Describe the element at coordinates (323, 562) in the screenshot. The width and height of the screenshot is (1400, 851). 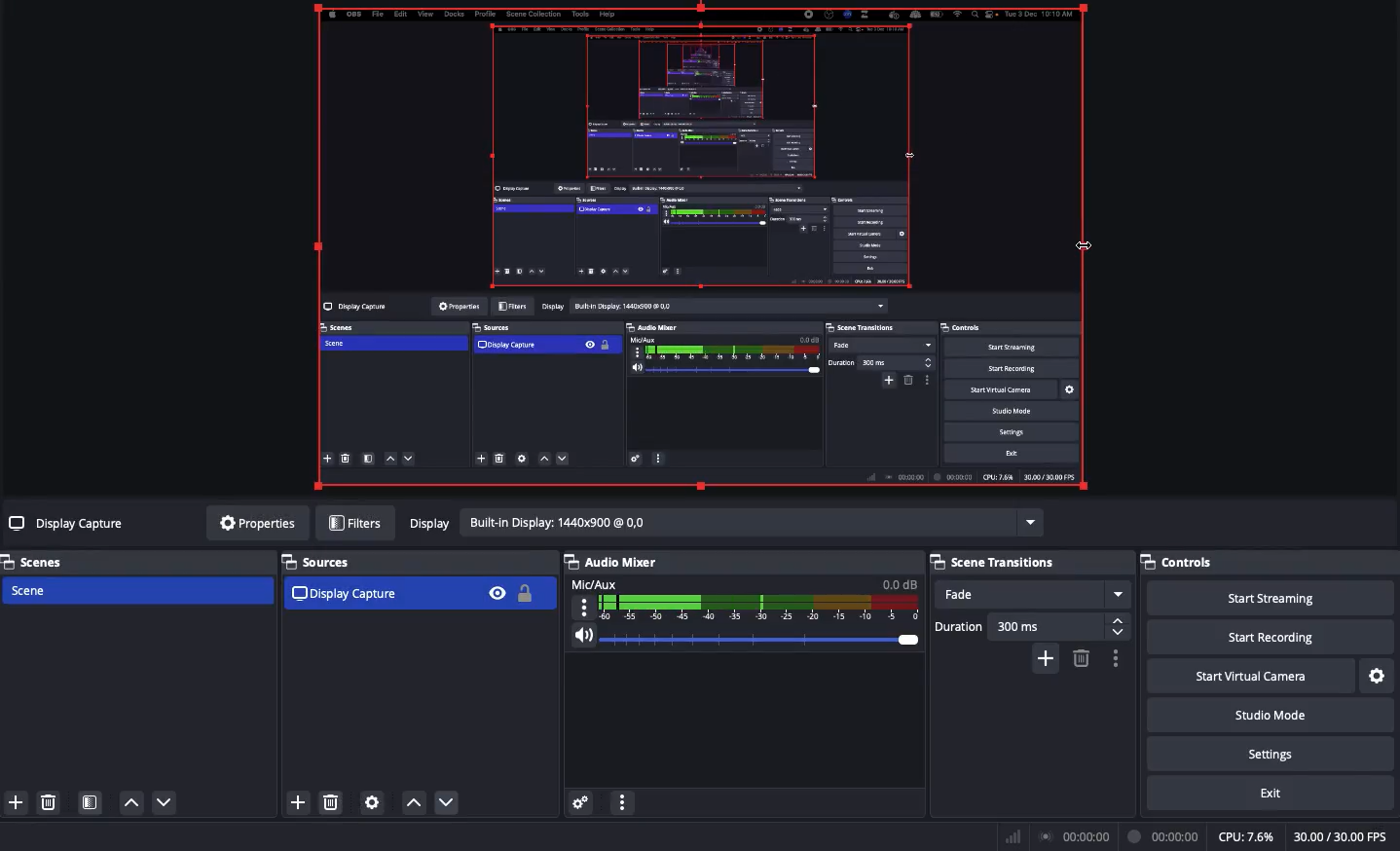
I see `Sources` at that location.